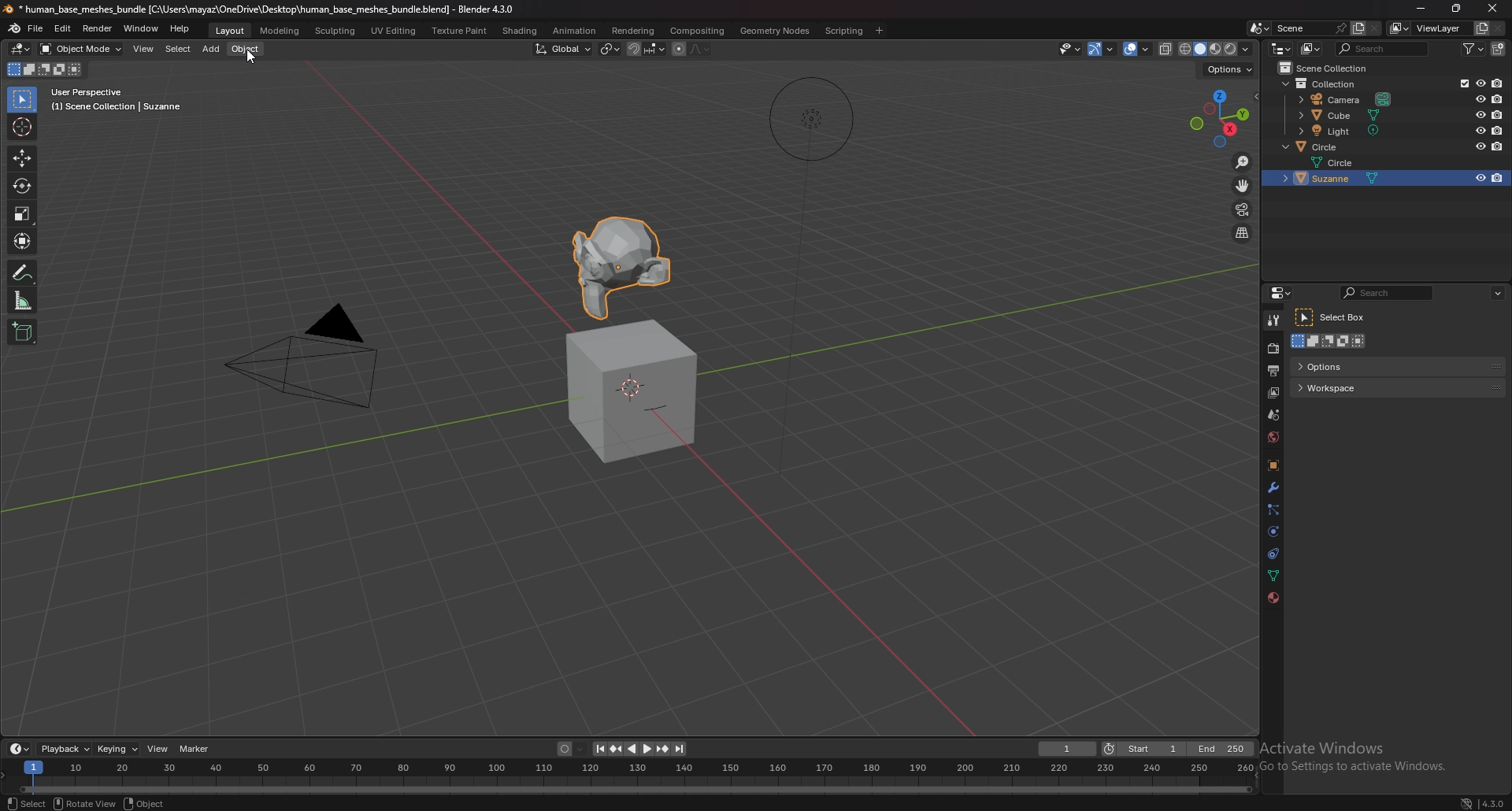  I want to click on overlays, so click(1138, 49).